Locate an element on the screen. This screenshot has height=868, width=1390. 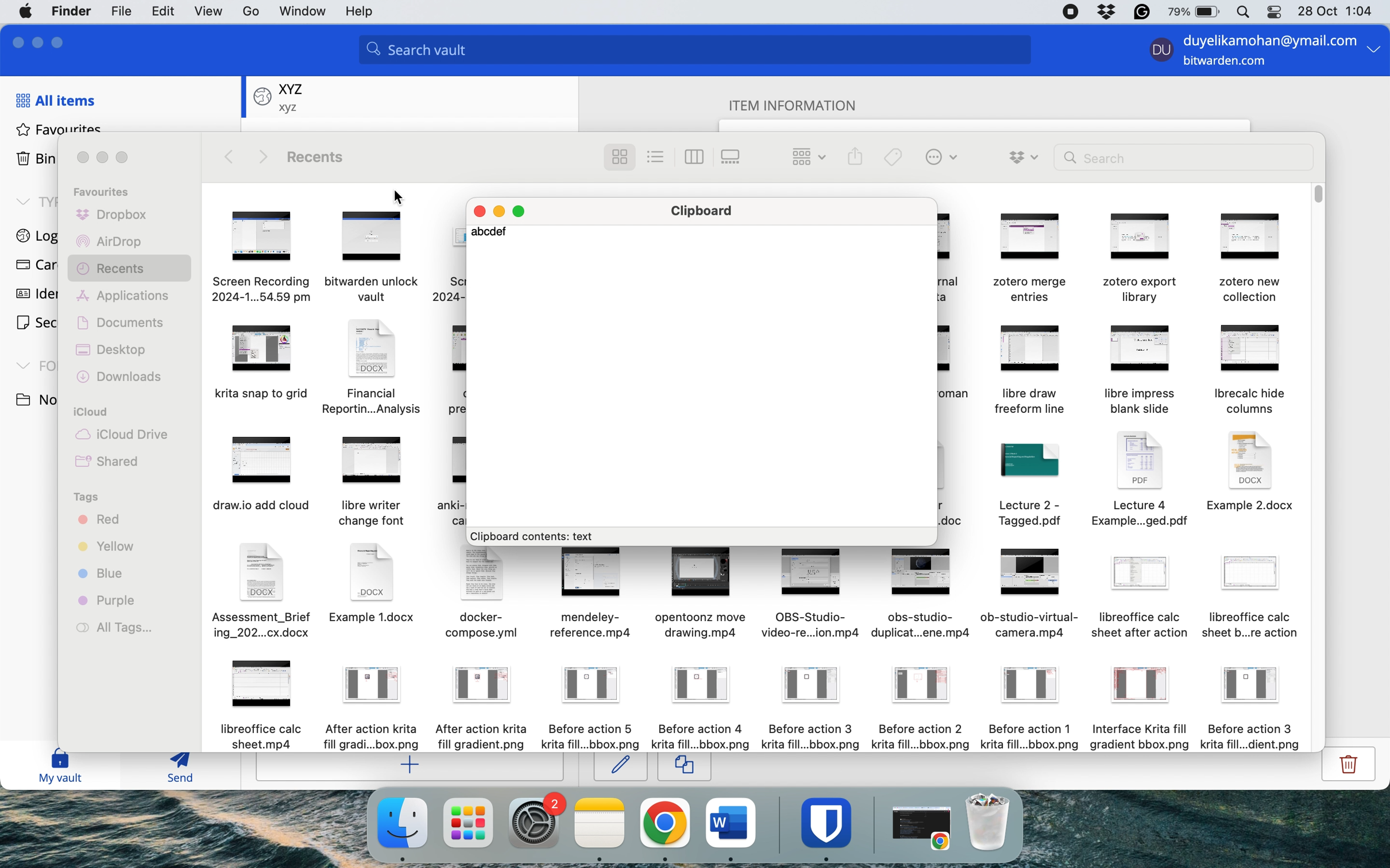
date and time is located at coordinates (1338, 10).